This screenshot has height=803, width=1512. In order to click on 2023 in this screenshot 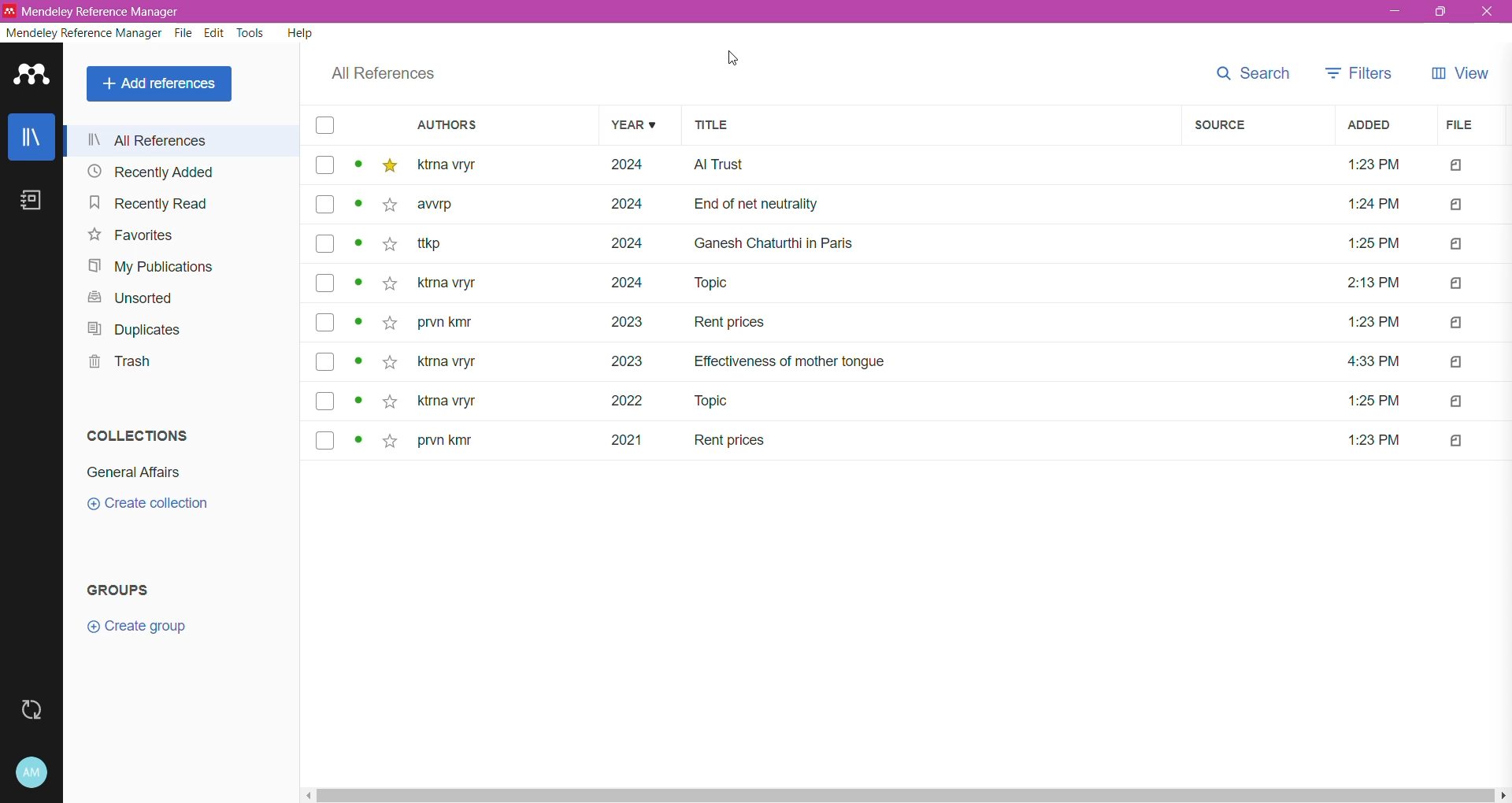, I will do `click(628, 361)`.